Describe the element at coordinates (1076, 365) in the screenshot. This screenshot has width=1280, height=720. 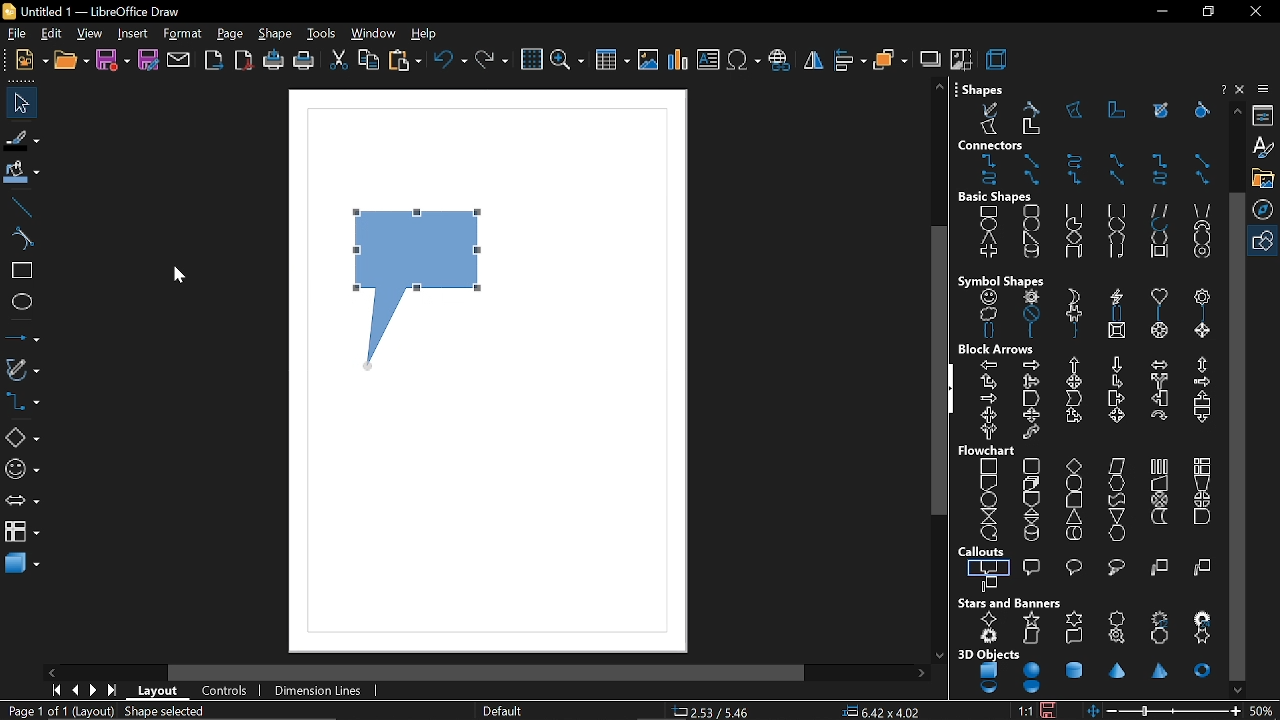
I see `up arrow` at that location.